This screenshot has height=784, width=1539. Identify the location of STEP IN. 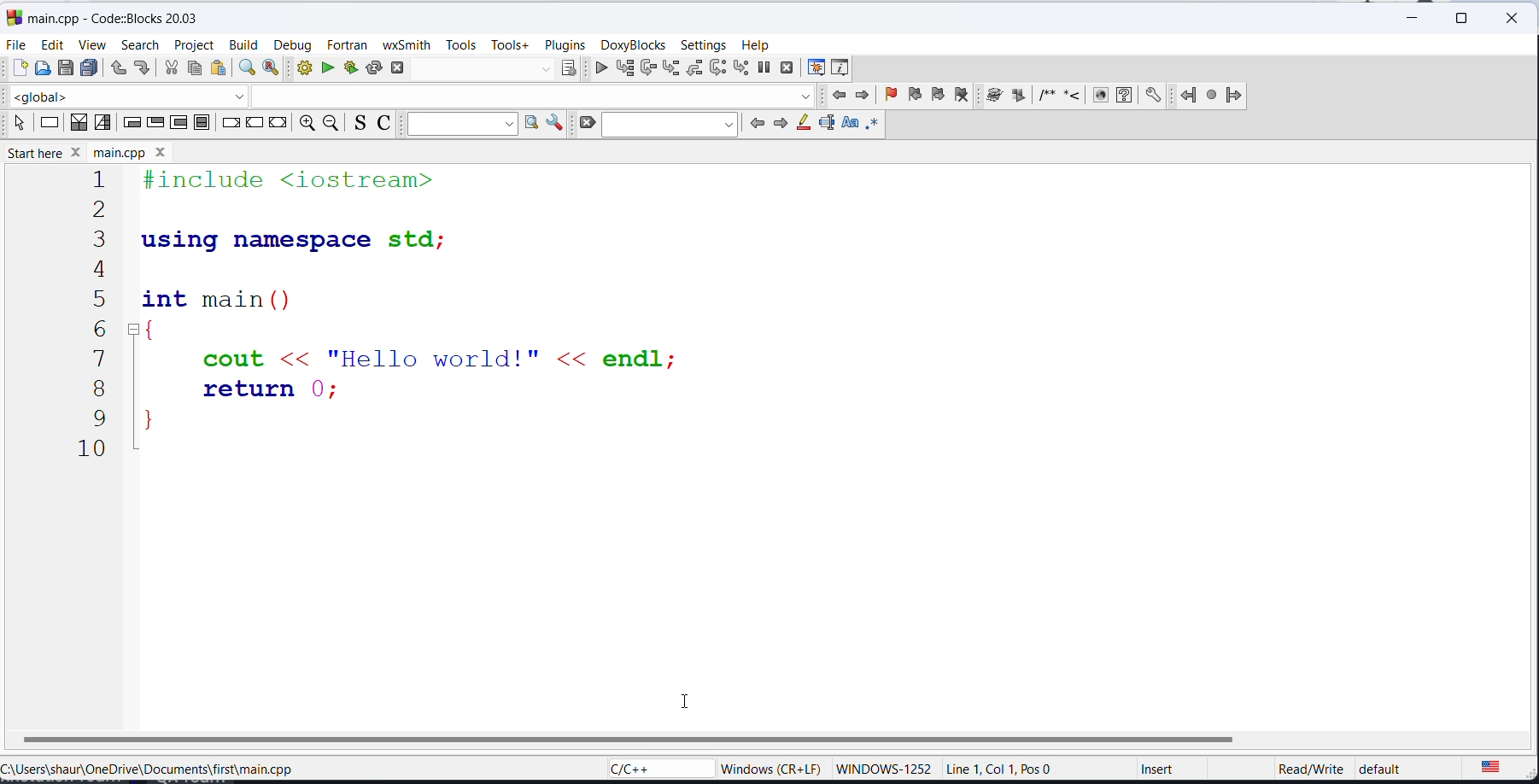
(670, 68).